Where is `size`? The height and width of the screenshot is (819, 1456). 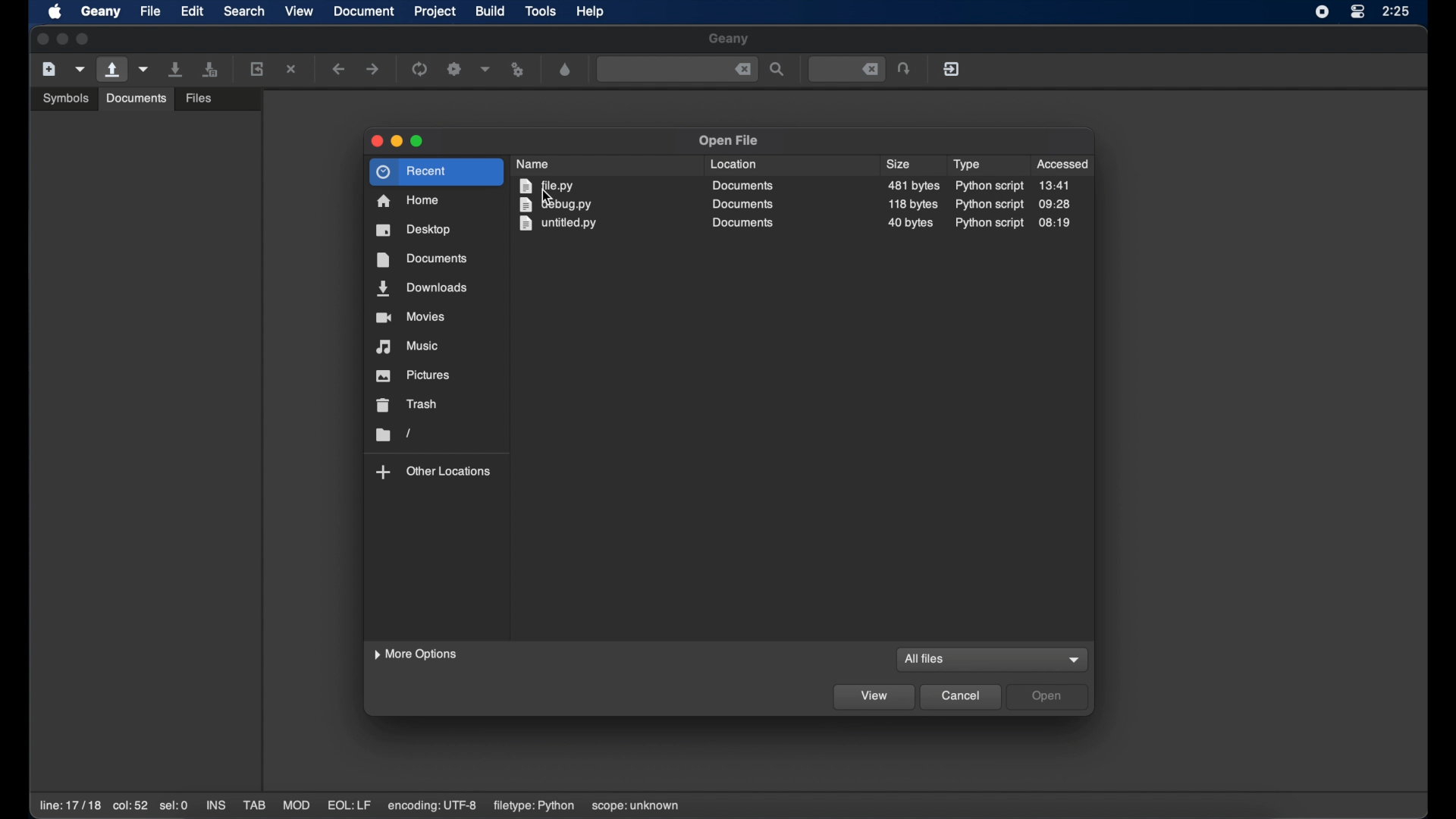 size is located at coordinates (914, 204).